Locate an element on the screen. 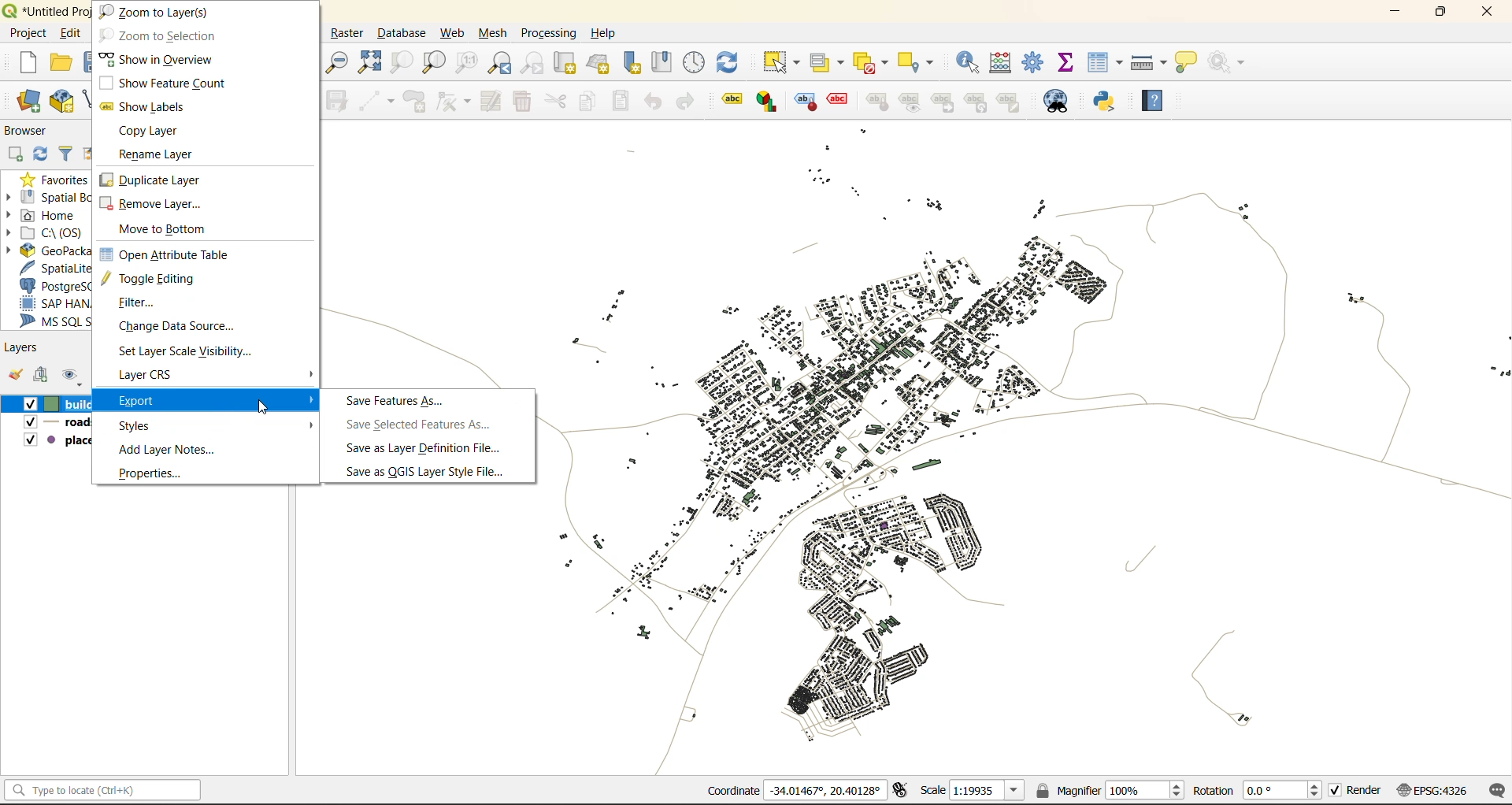 Image resolution: width=1512 pixels, height=805 pixels. change label properties is located at coordinates (1008, 102).